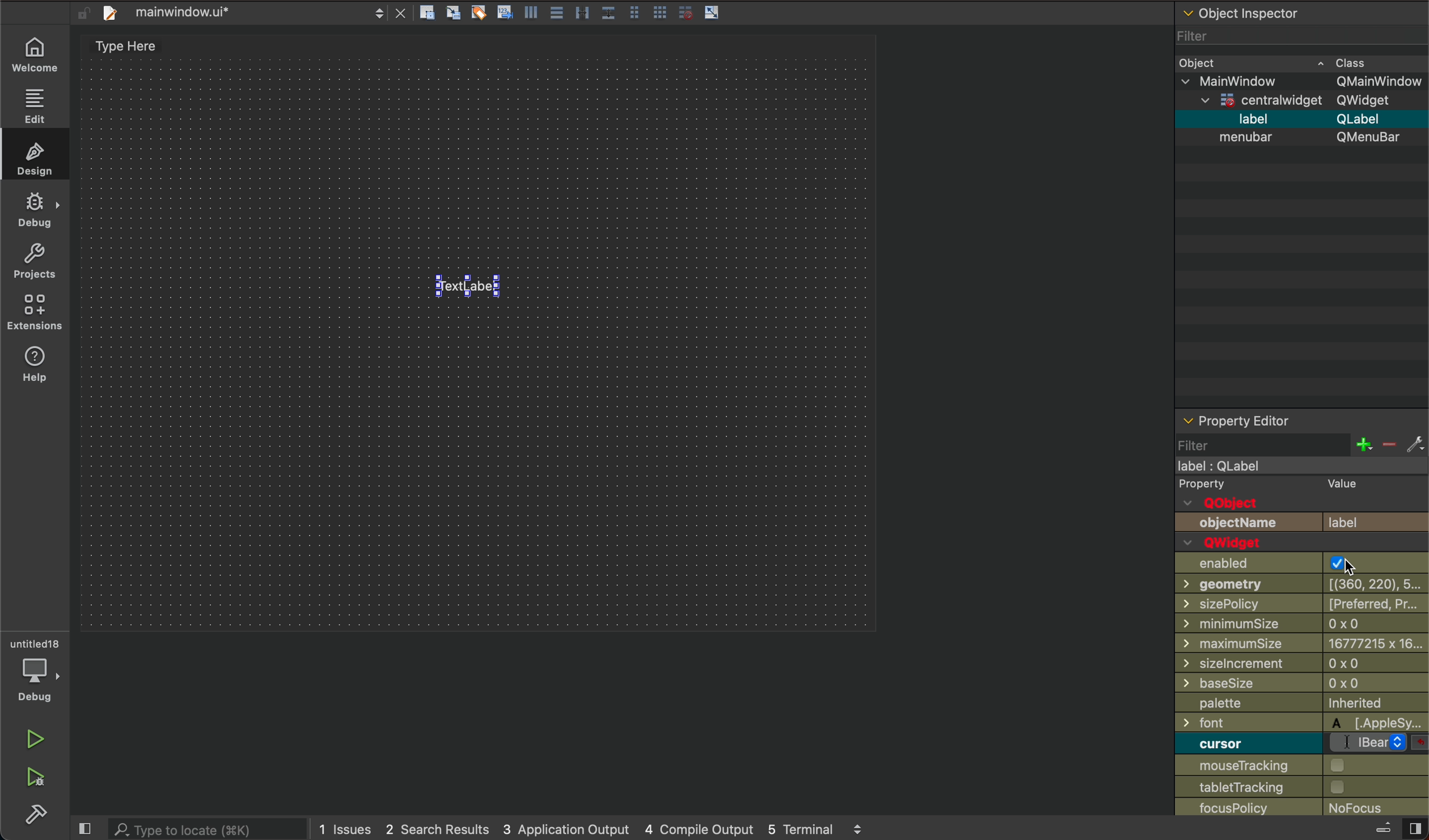  Describe the element at coordinates (1255, 544) in the screenshot. I see `QWwidget` at that location.